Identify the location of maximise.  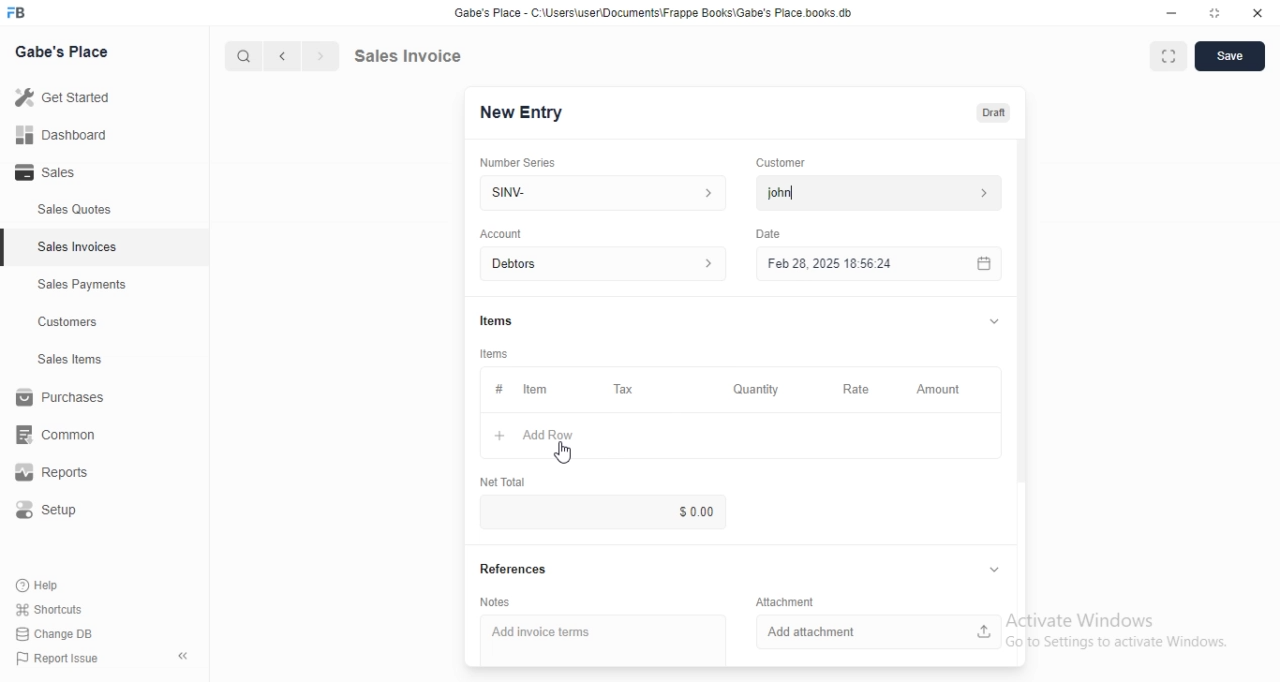
(1163, 54).